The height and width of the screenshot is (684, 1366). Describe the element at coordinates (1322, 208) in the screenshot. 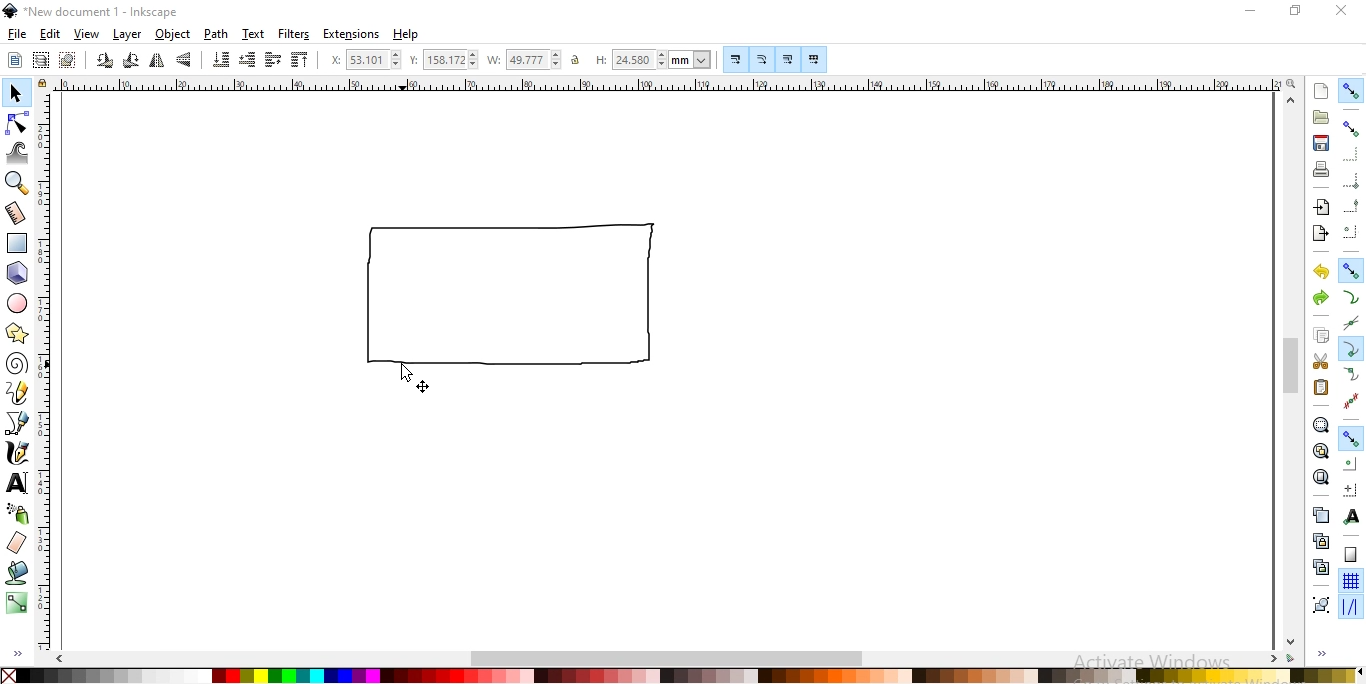

I see `import a bitmap` at that location.